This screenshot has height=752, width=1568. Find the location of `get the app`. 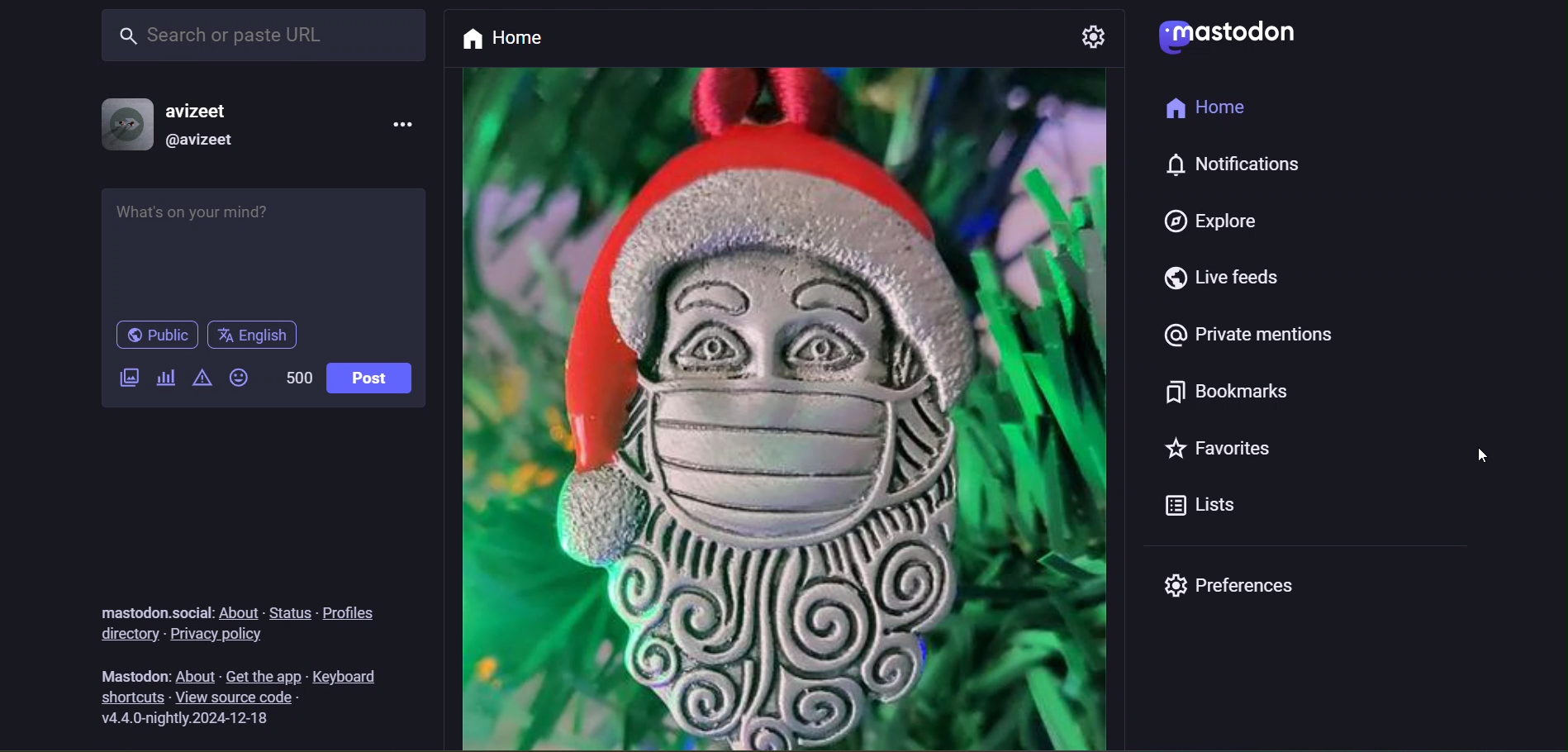

get the app is located at coordinates (262, 673).